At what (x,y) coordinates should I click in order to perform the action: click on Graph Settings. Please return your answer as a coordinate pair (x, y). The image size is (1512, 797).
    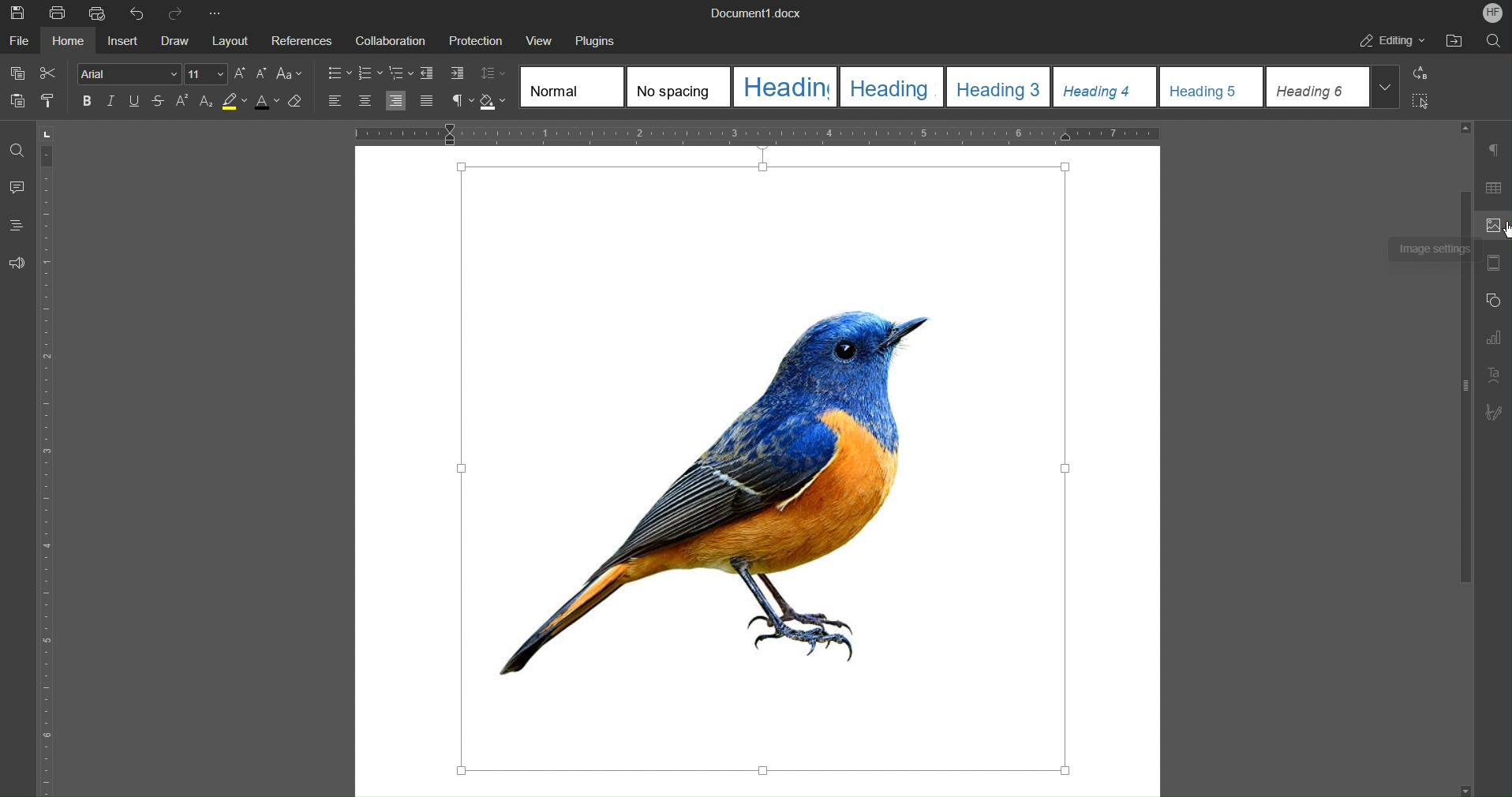
    Looking at the image, I should click on (1494, 335).